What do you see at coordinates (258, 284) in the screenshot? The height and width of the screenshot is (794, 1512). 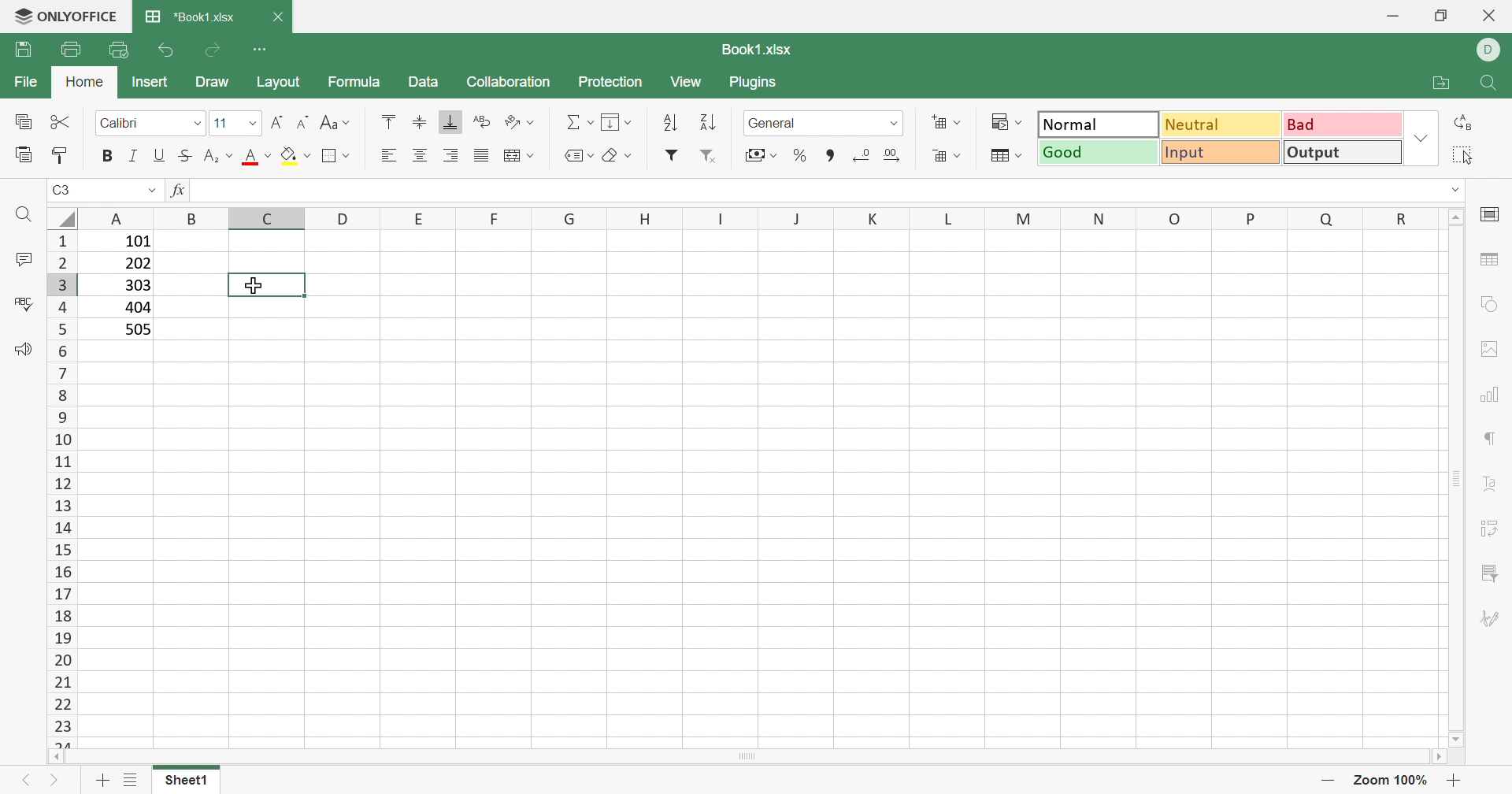 I see `Cursor` at bounding box center [258, 284].